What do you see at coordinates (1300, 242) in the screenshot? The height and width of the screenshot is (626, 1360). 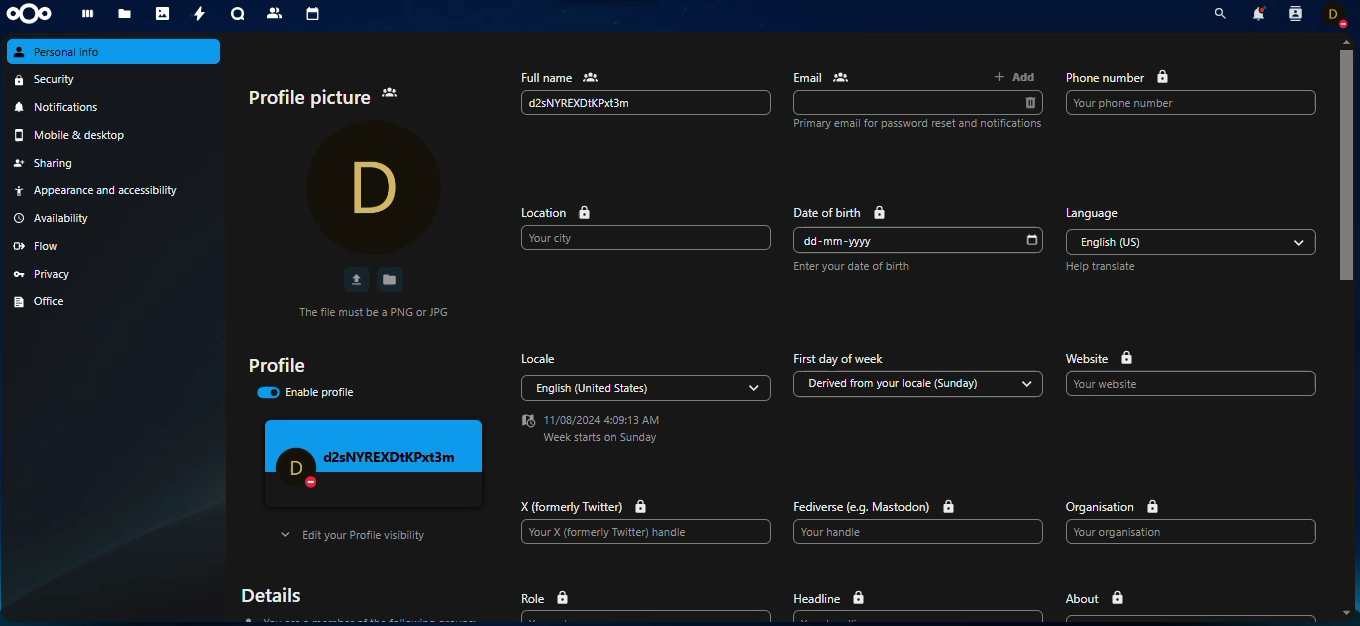 I see `drop down` at bounding box center [1300, 242].